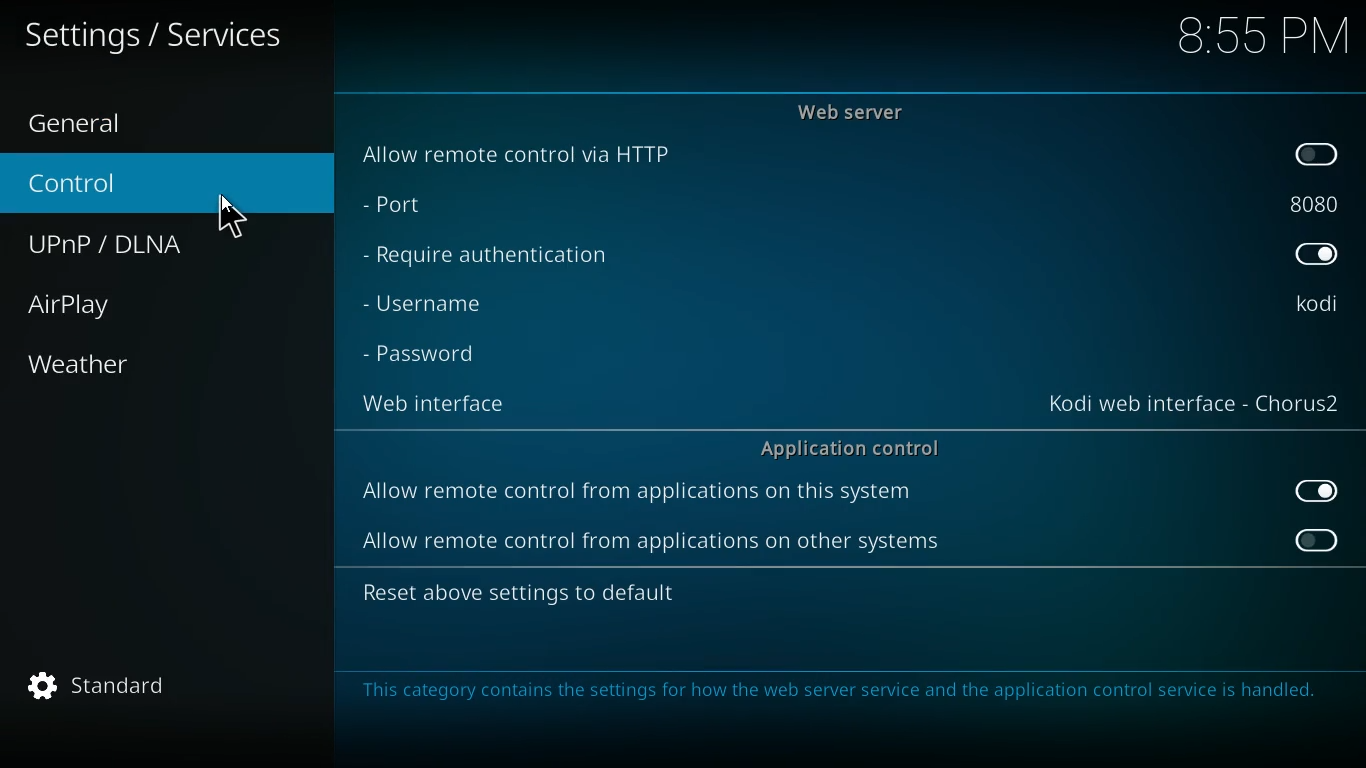  Describe the element at coordinates (852, 447) in the screenshot. I see `aplication control` at that location.